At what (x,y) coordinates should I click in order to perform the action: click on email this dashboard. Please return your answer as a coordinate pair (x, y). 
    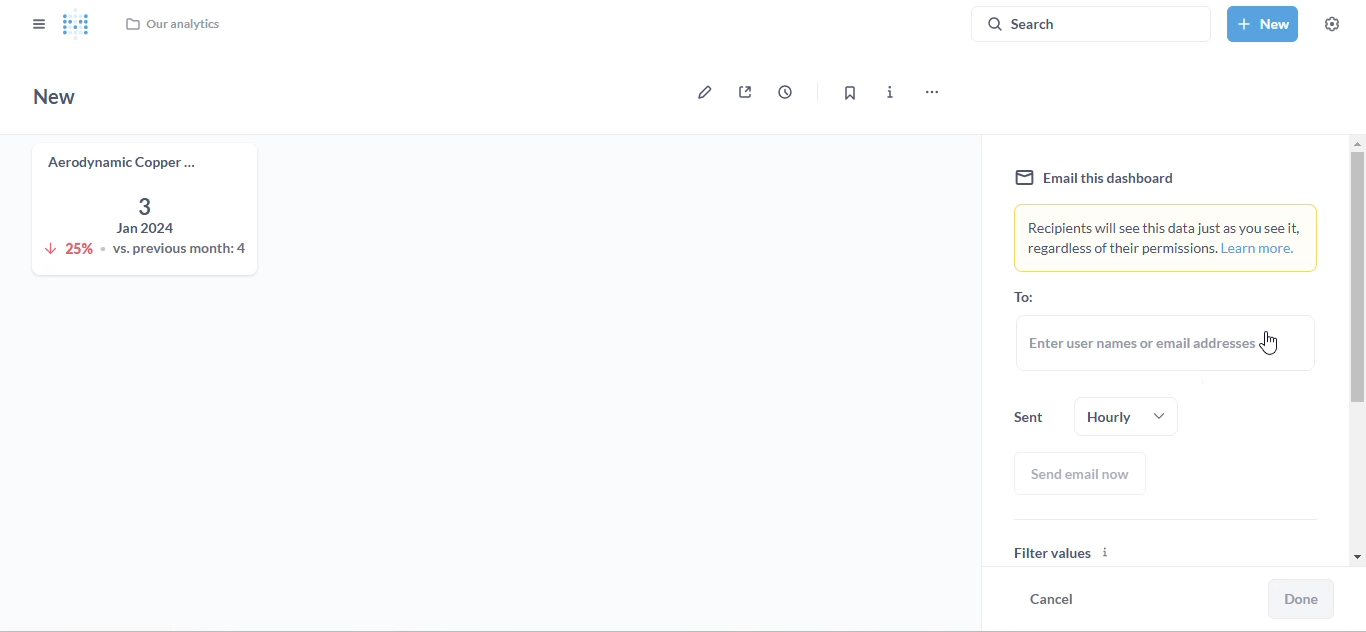
    Looking at the image, I should click on (1095, 178).